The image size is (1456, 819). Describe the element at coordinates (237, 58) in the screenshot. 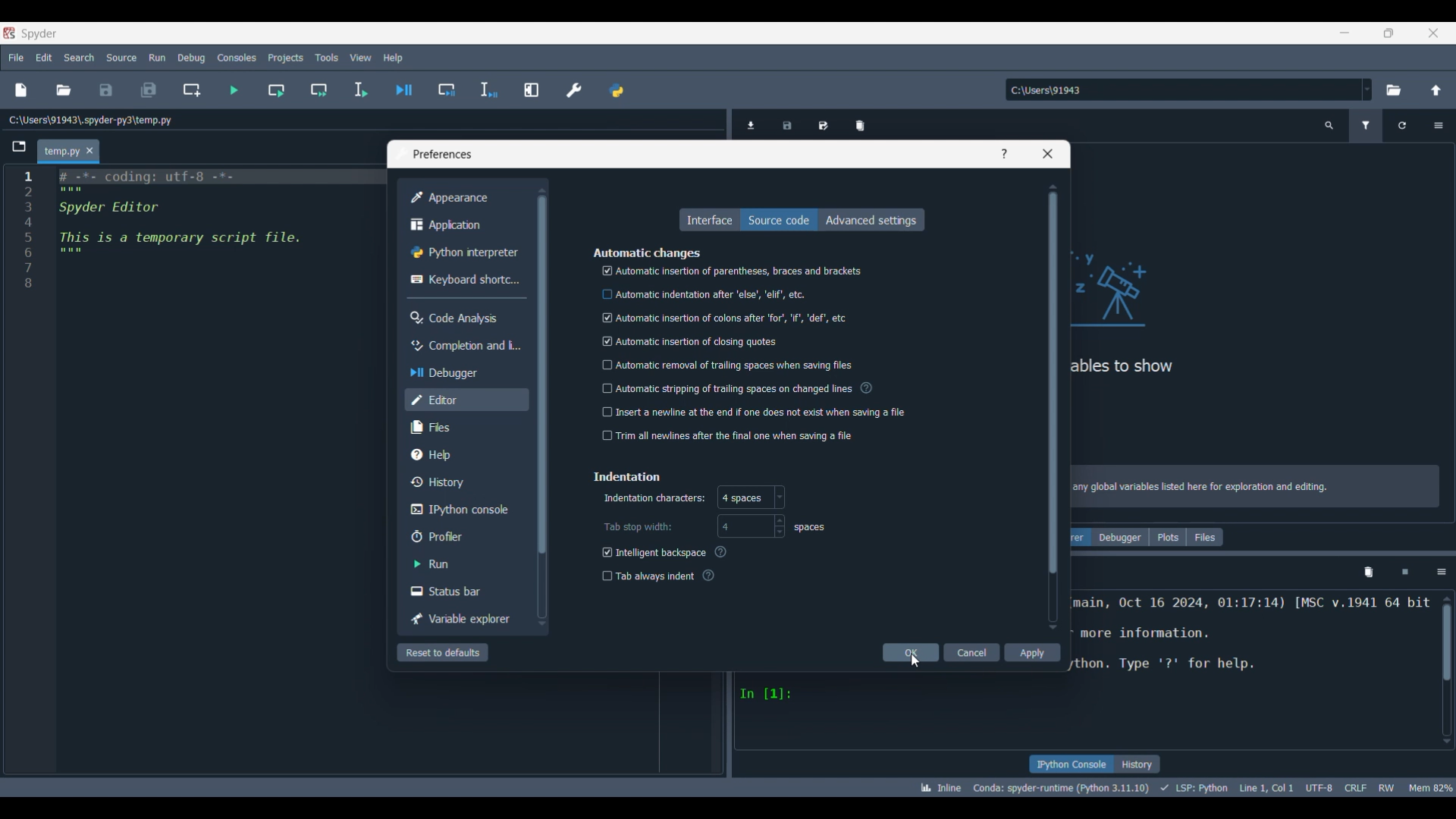

I see `Consoles menu` at that location.